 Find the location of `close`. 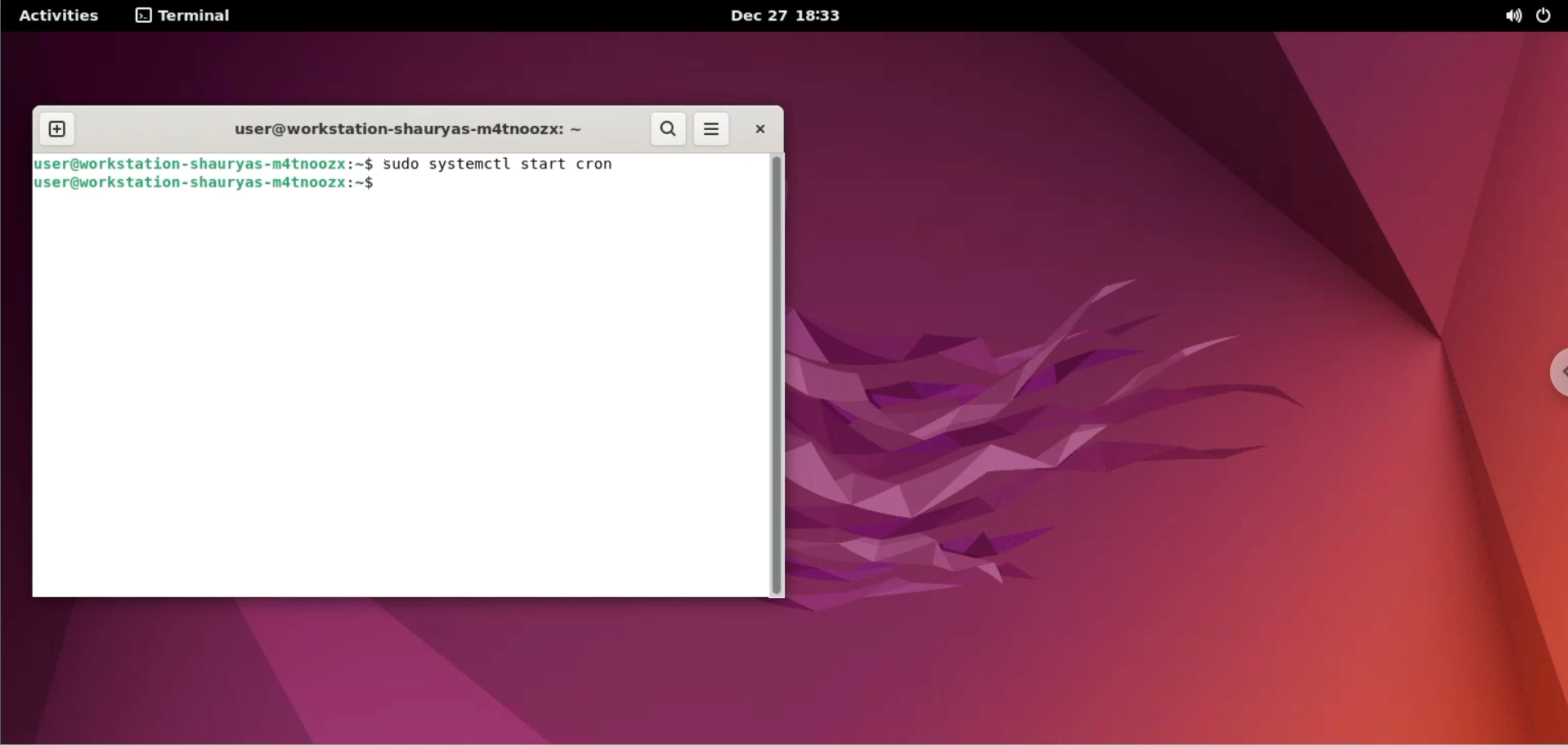

close is located at coordinates (758, 129).